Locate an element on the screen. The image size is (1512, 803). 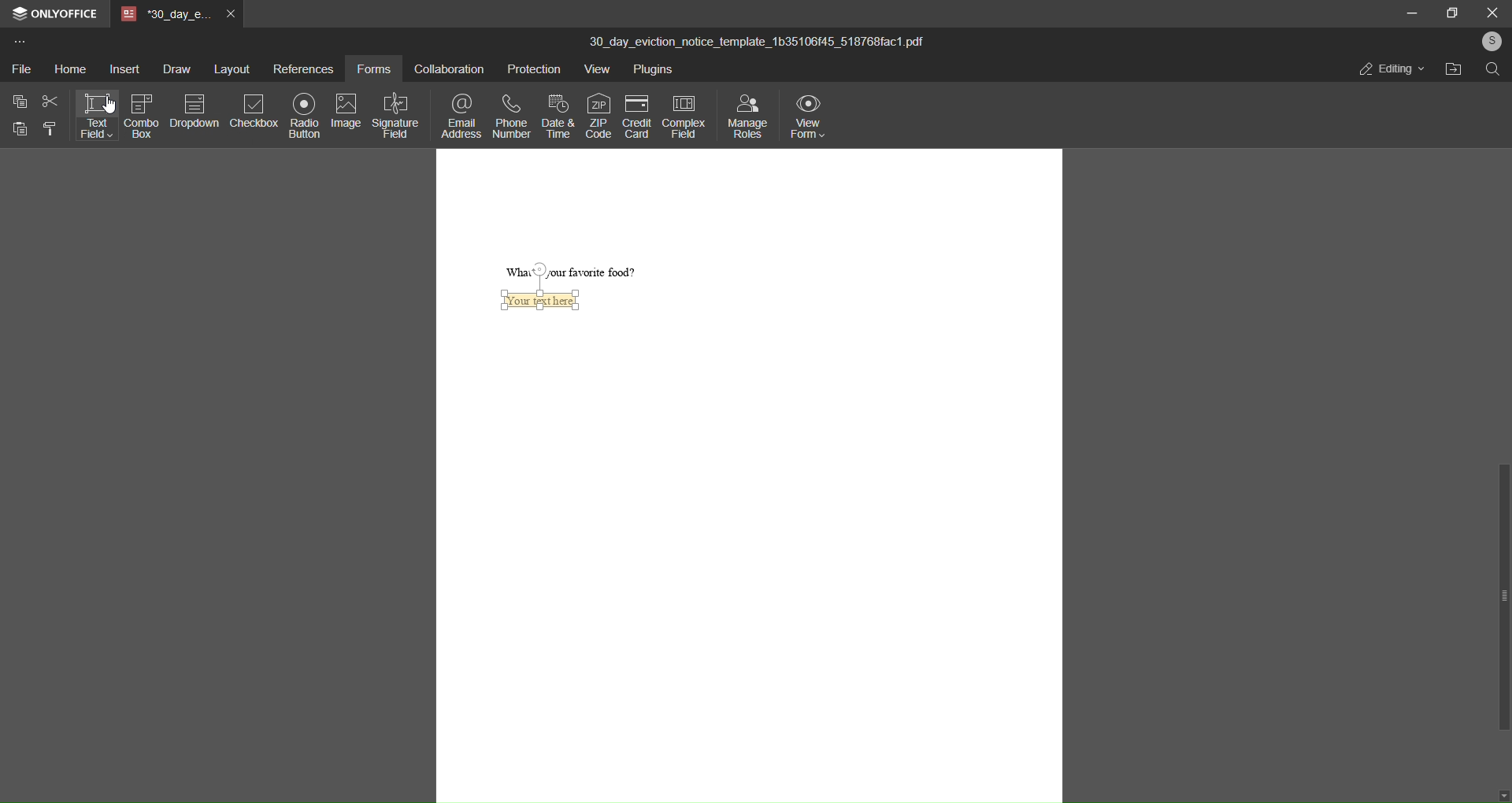
onlyoffice is located at coordinates (66, 14).